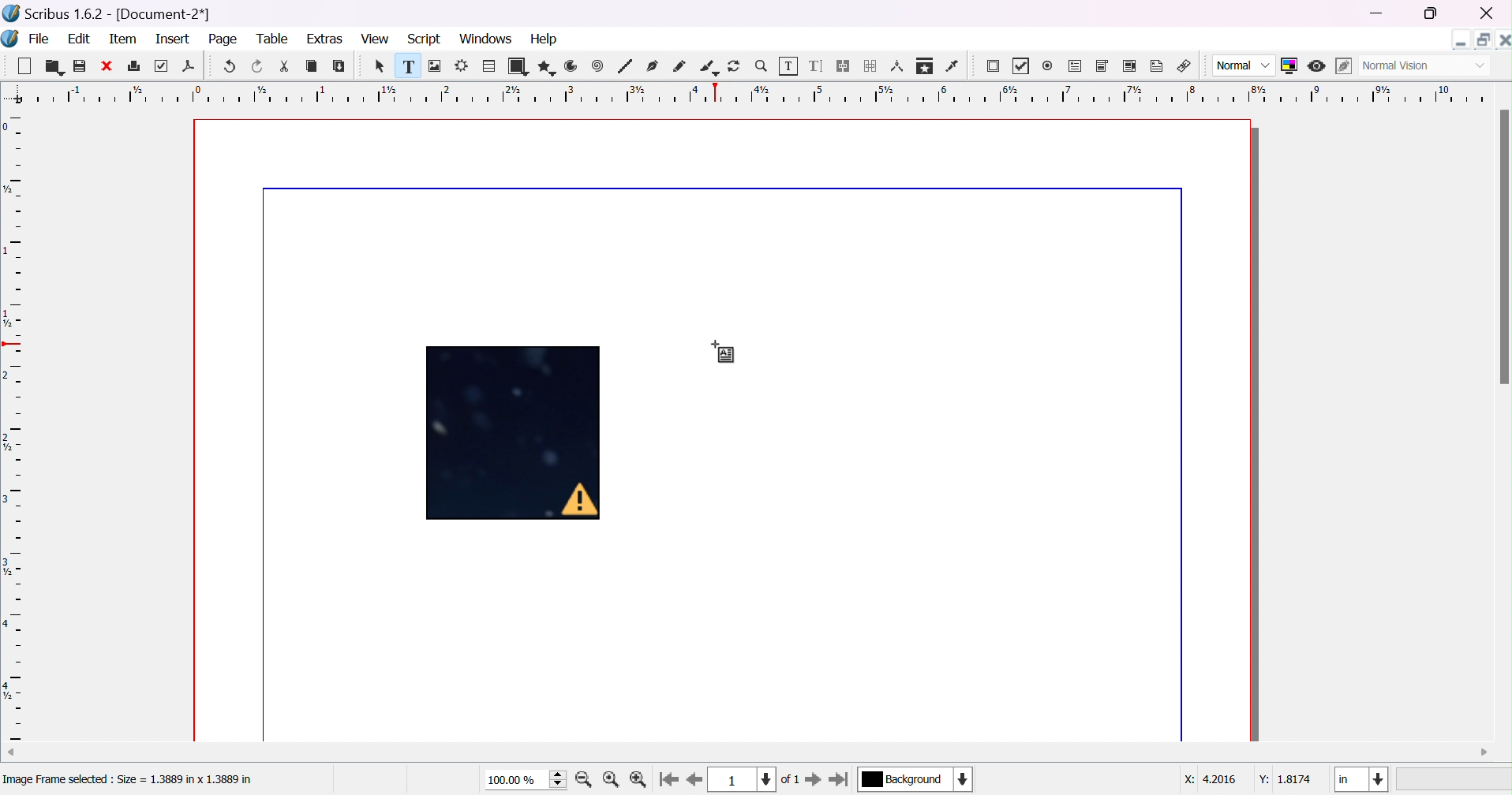  What do you see at coordinates (13, 427) in the screenshot?
I see `ruler` at bounding box center [13, 427].